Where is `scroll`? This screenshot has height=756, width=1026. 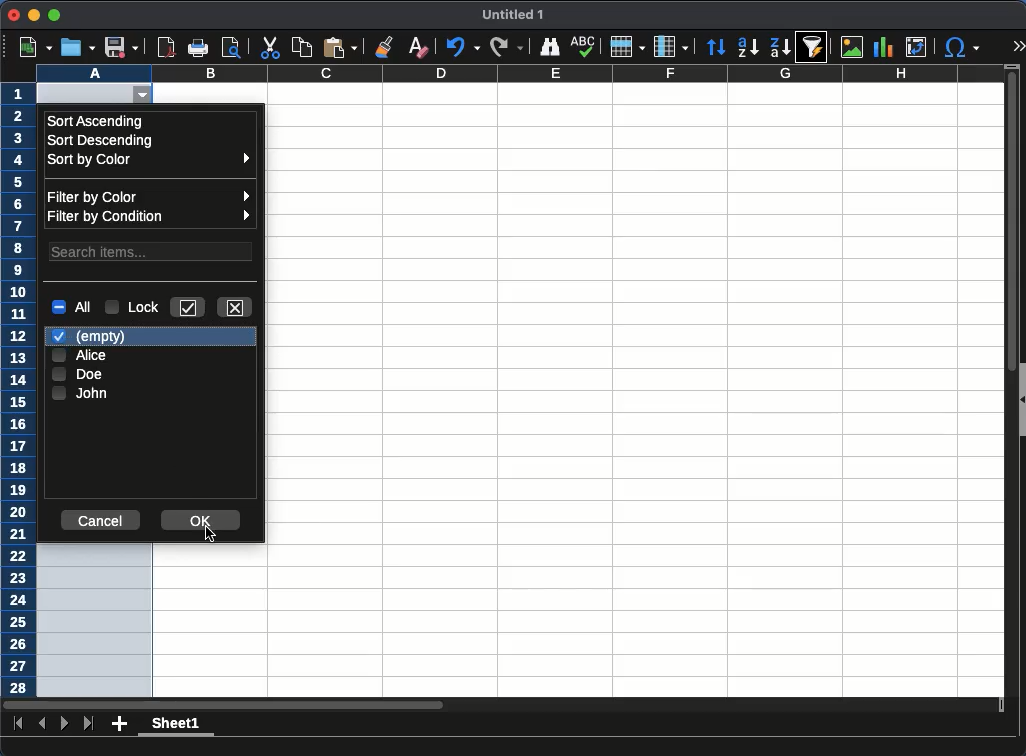 scroll is located at coordinates (1005, 389).